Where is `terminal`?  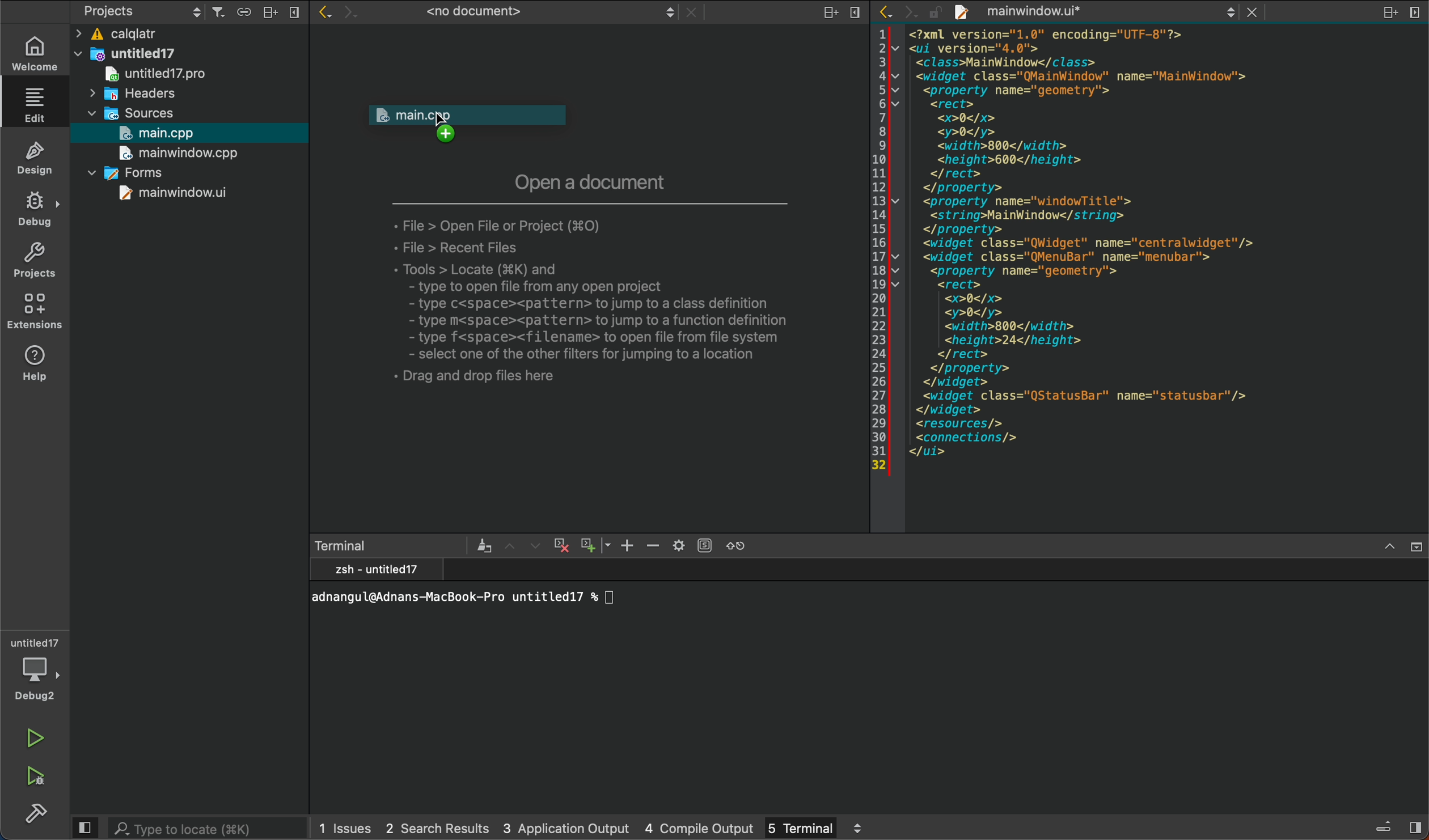 terminal is located at coordinates (870, 684).